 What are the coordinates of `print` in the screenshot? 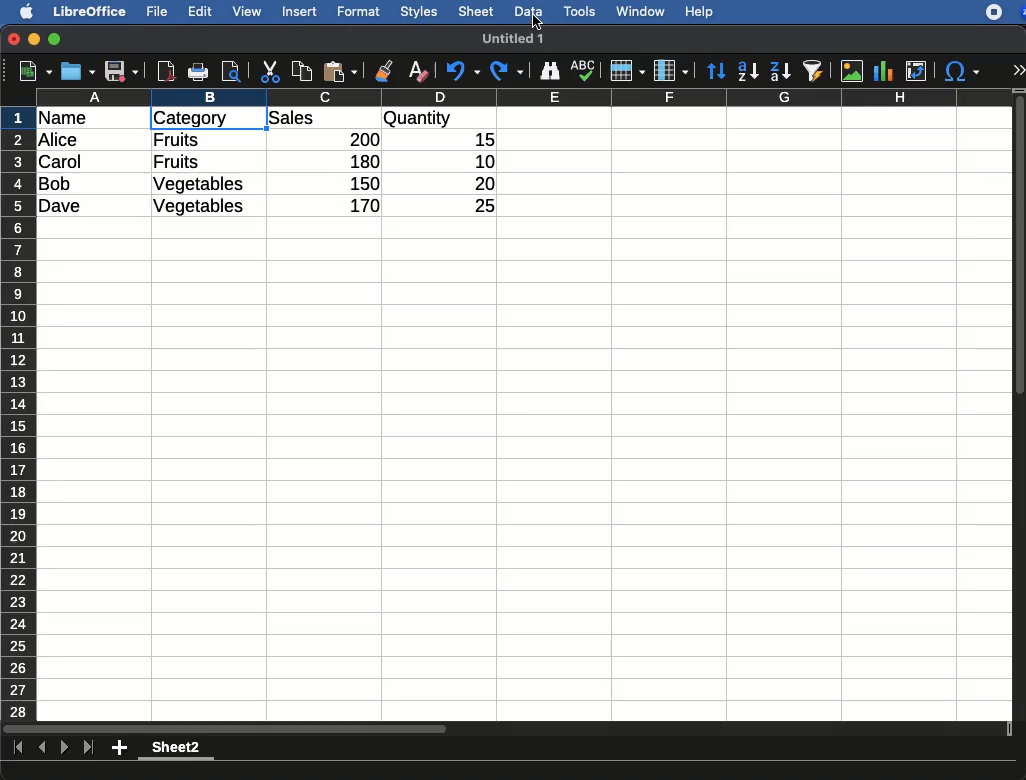 It's located at (198, 72).